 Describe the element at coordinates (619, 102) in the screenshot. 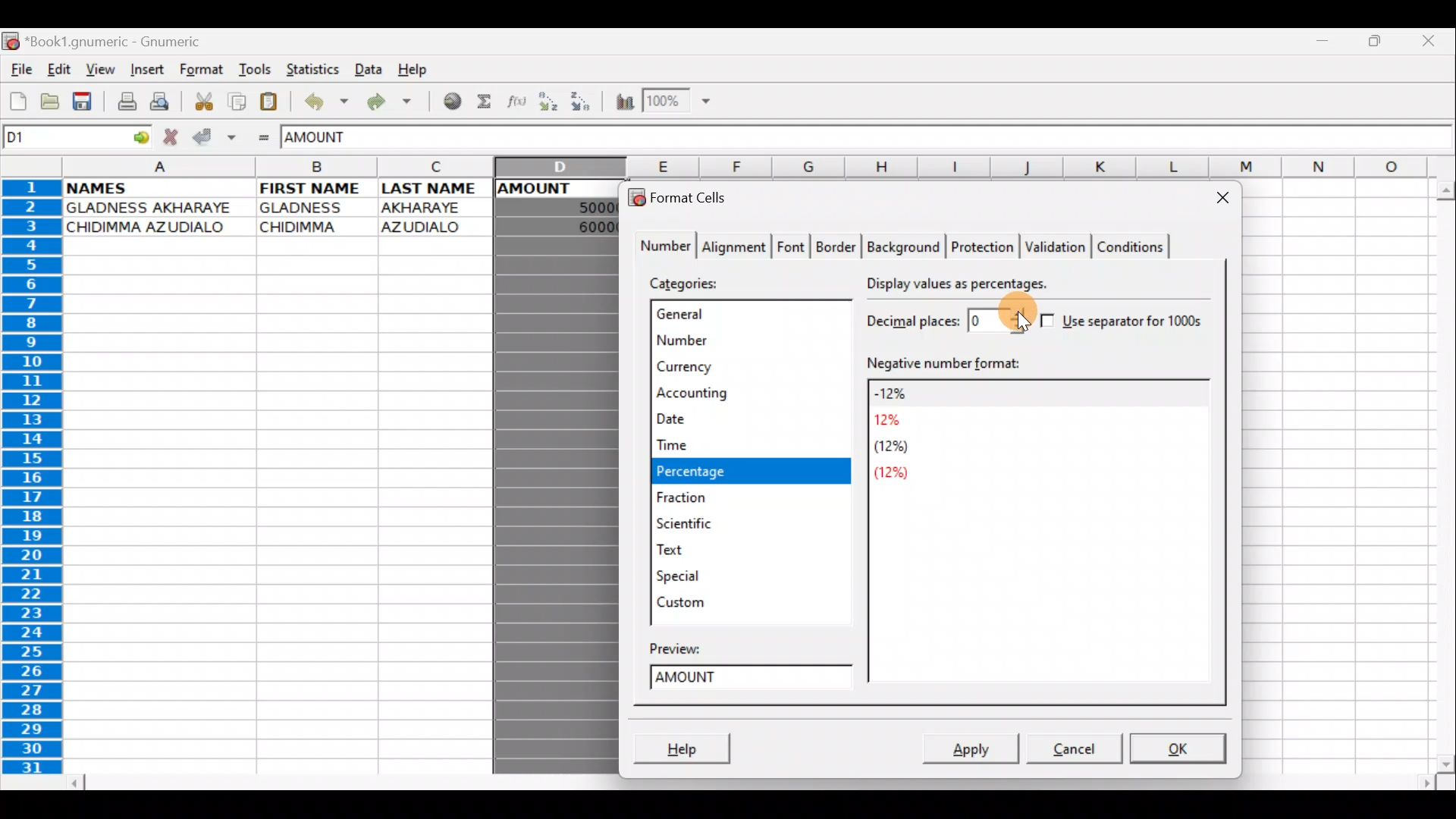

I see `Insert Chart` at that location.